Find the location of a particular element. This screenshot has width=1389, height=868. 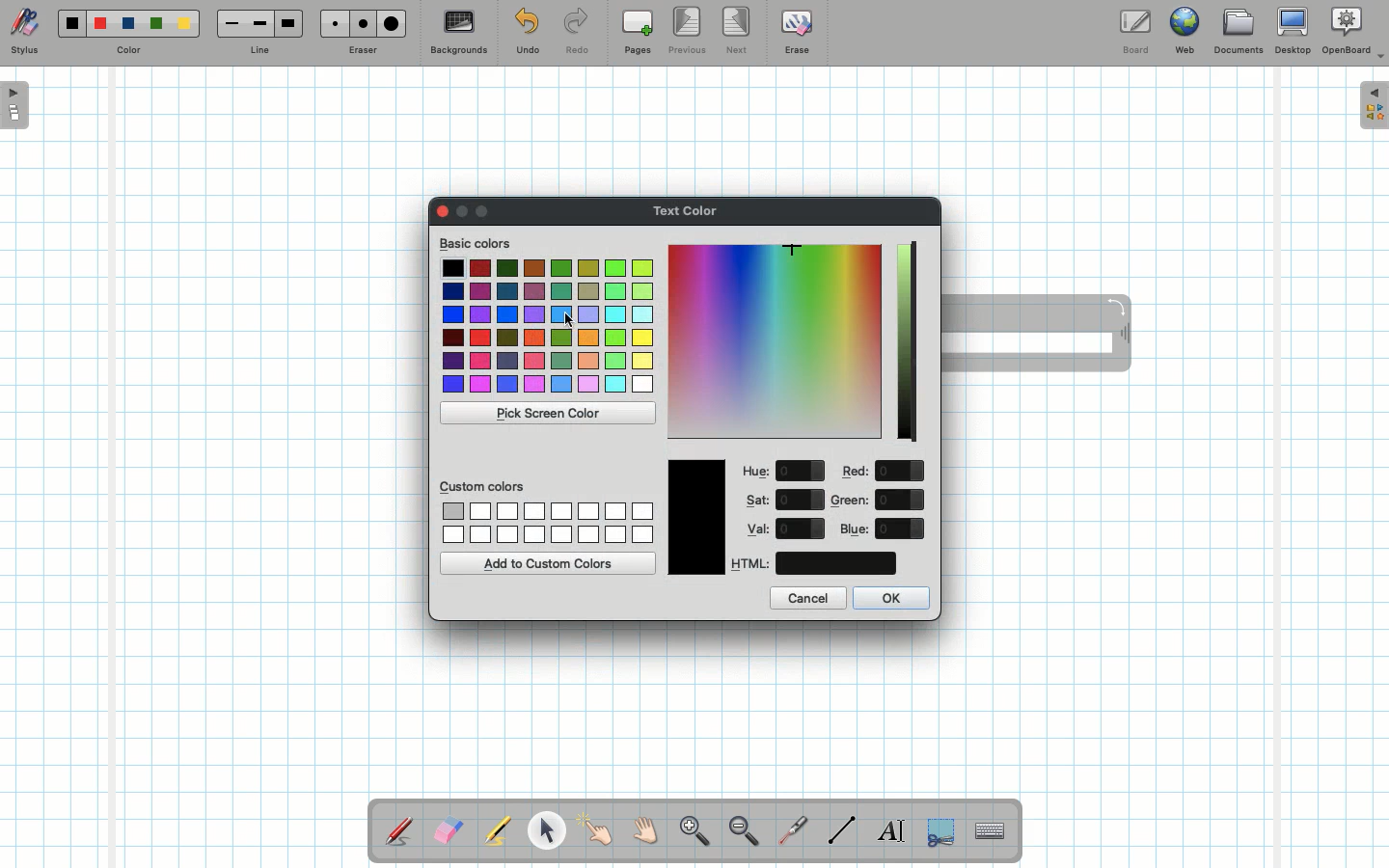

Text input is located at coordinates (991, 826).